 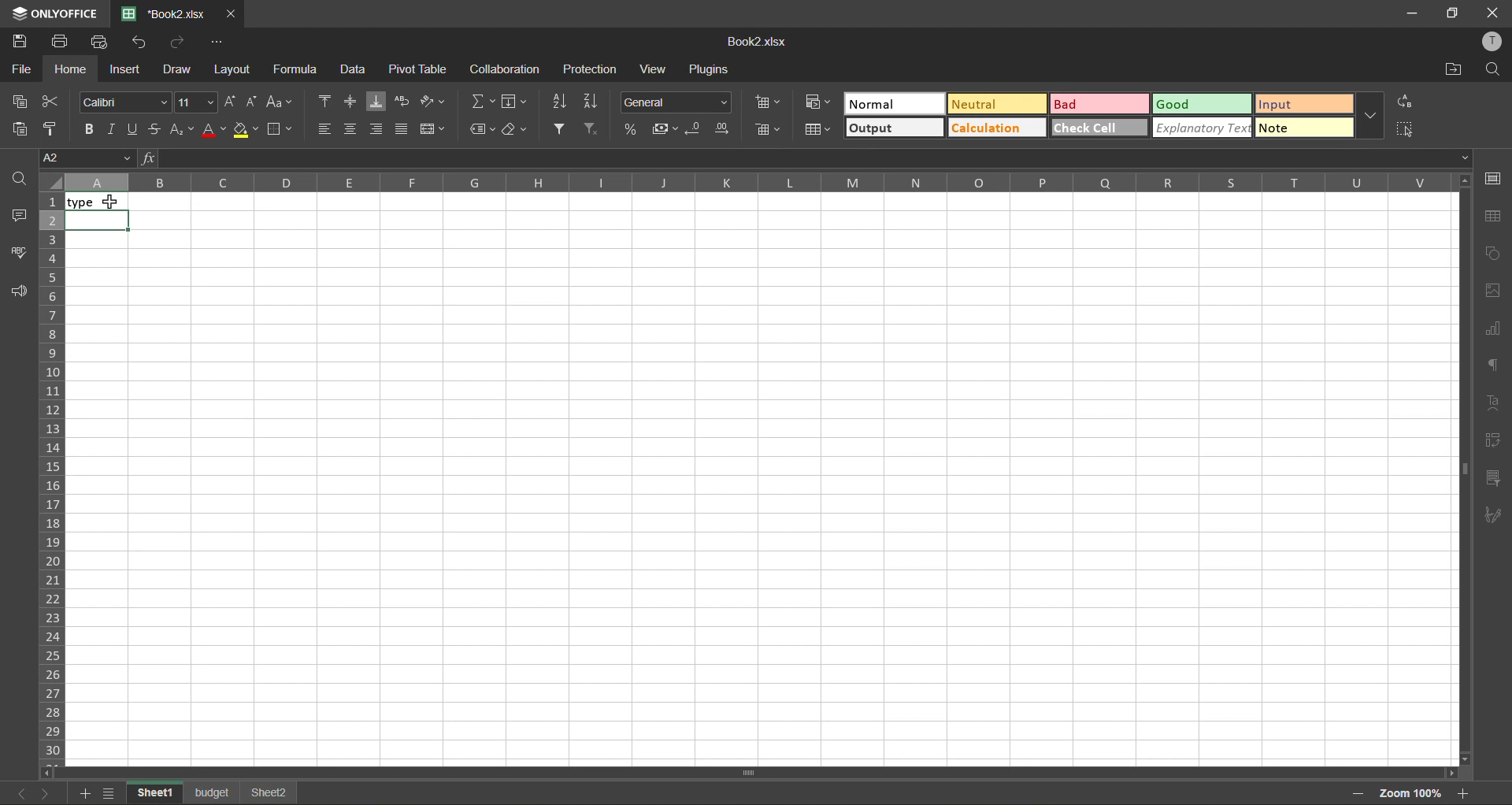 I want to click on delete cells, so click(x=765, y=131).